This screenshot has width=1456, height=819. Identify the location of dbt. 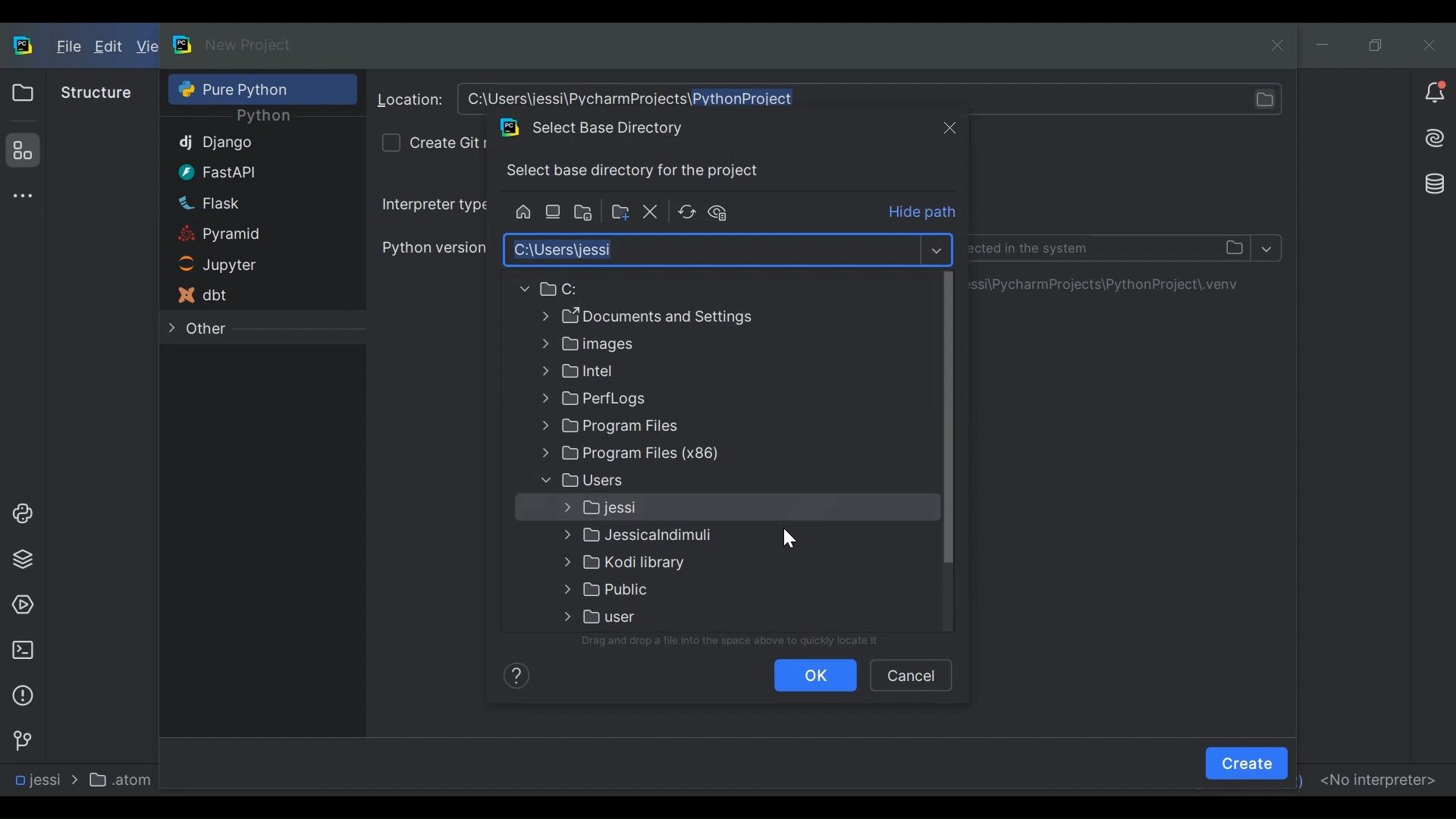
(240, 295).